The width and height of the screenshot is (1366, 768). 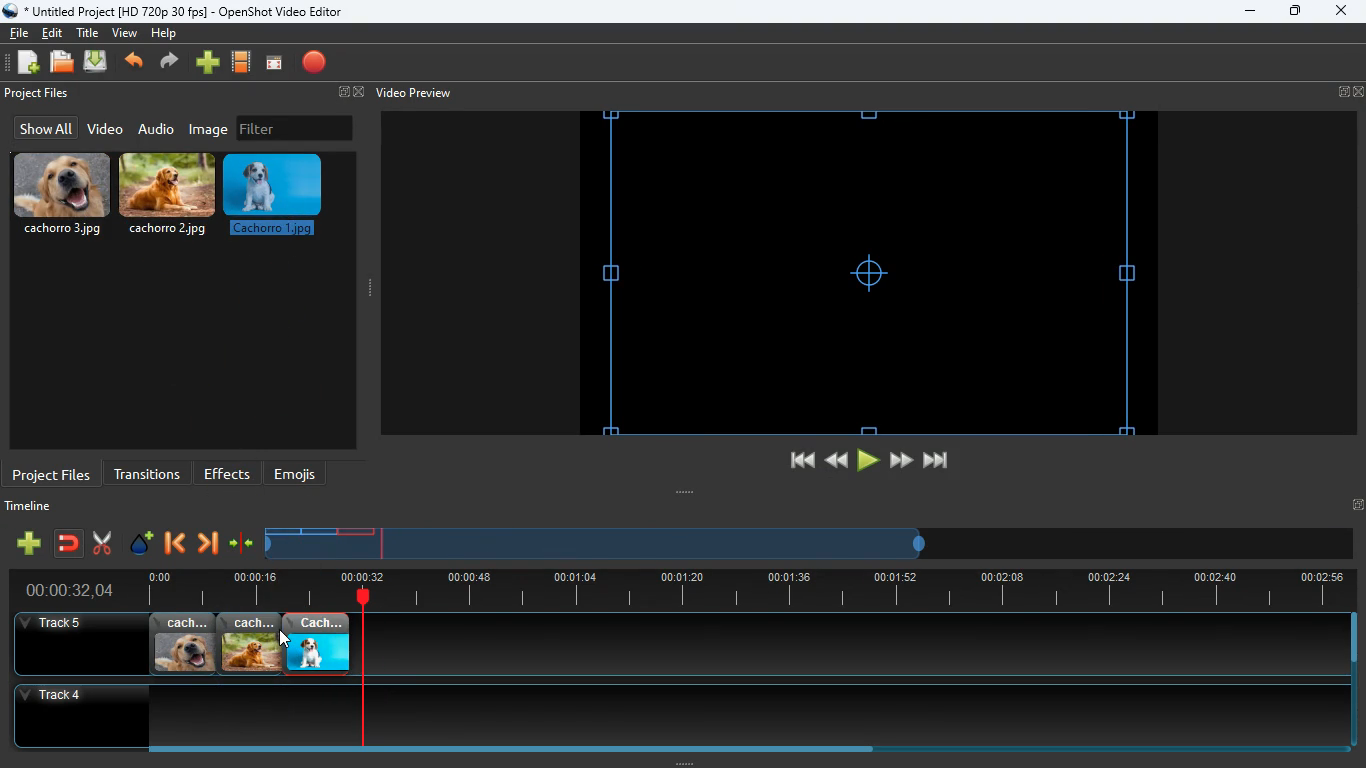 I want to click on back, so click(x=173, y=545).